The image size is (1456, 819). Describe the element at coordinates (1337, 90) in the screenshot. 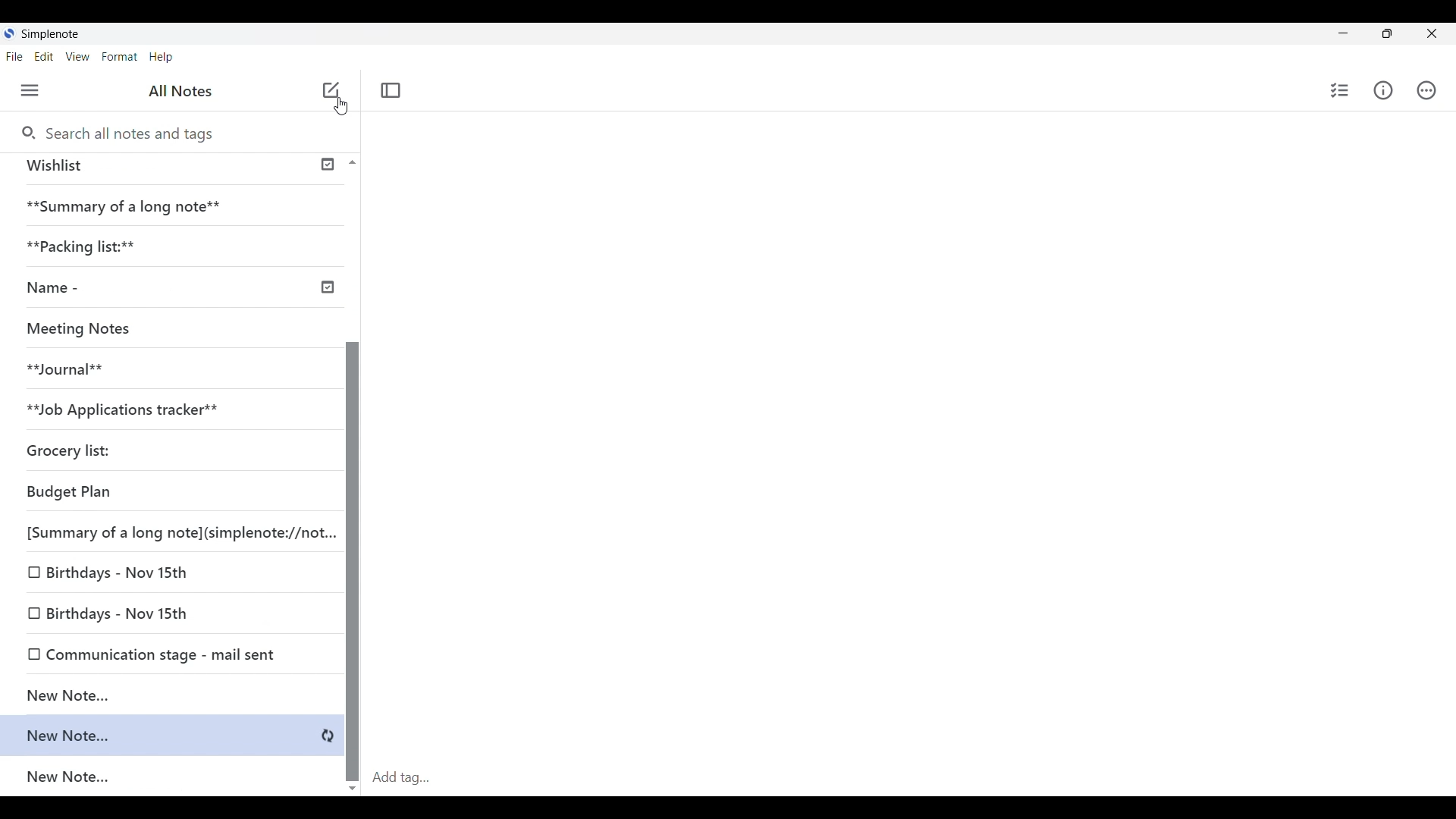

I see `Checklist` at that location.